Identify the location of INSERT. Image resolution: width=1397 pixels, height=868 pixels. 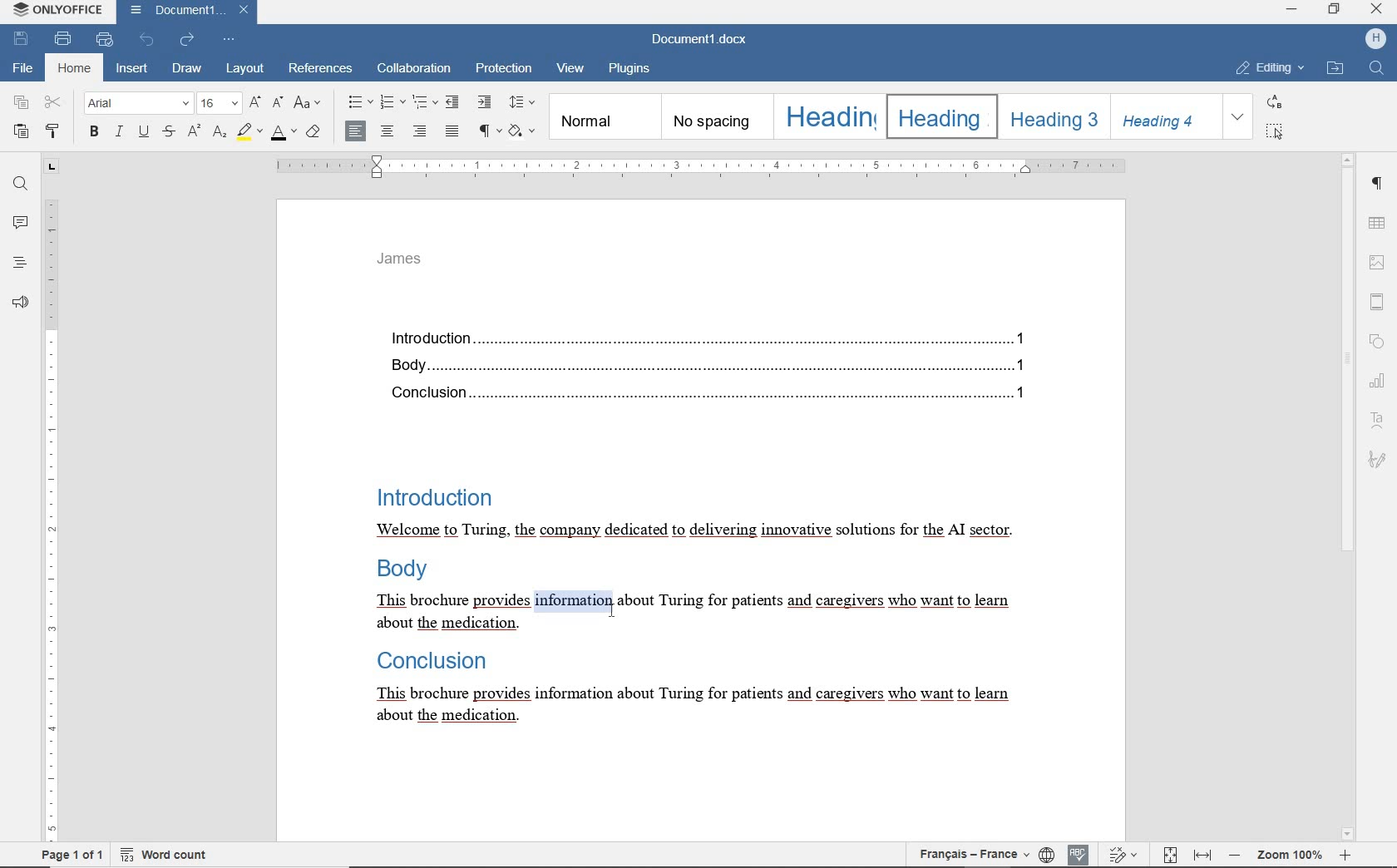
(132, 69).